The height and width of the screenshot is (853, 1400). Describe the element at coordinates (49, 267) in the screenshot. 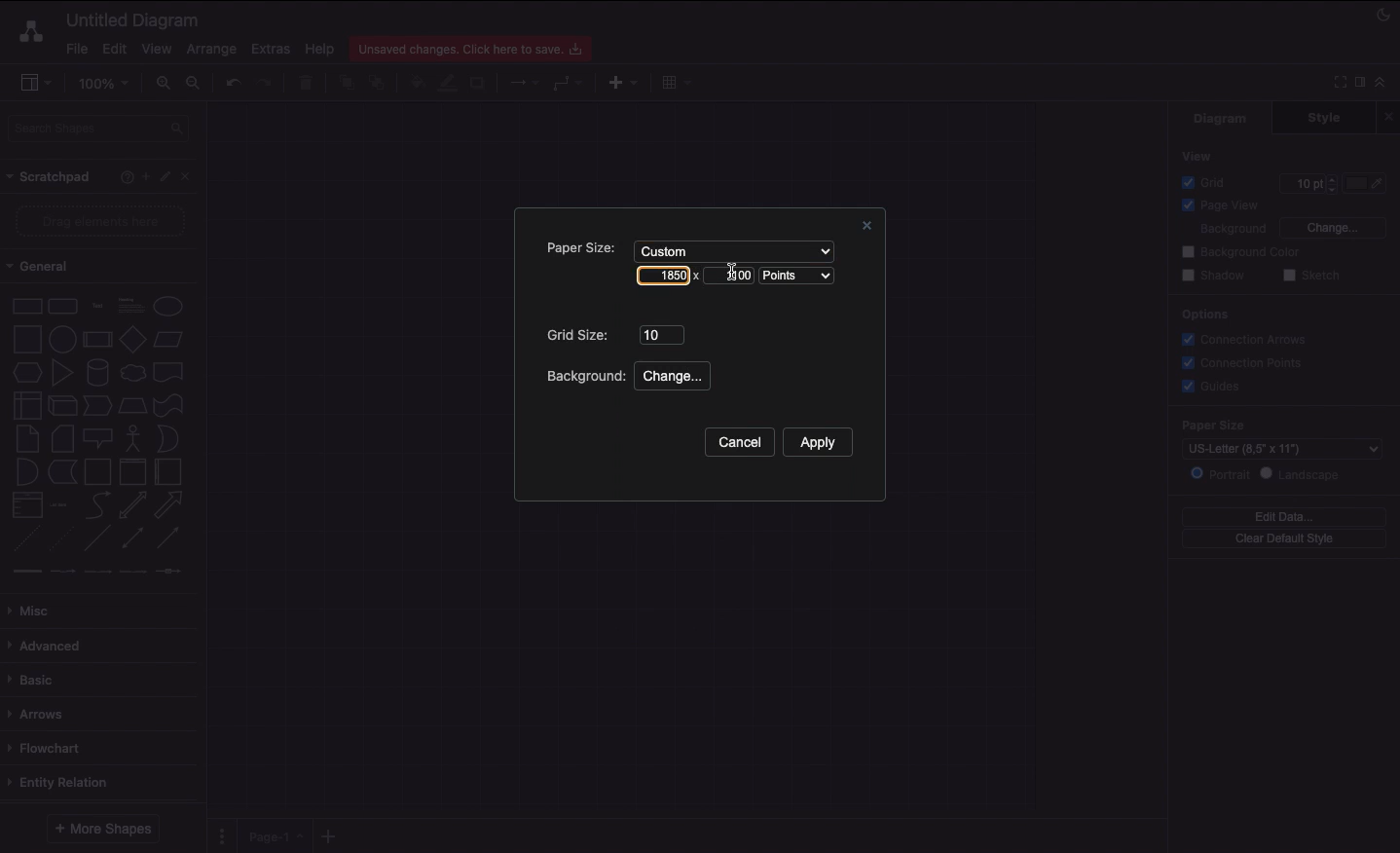

I see `General ` at that location.